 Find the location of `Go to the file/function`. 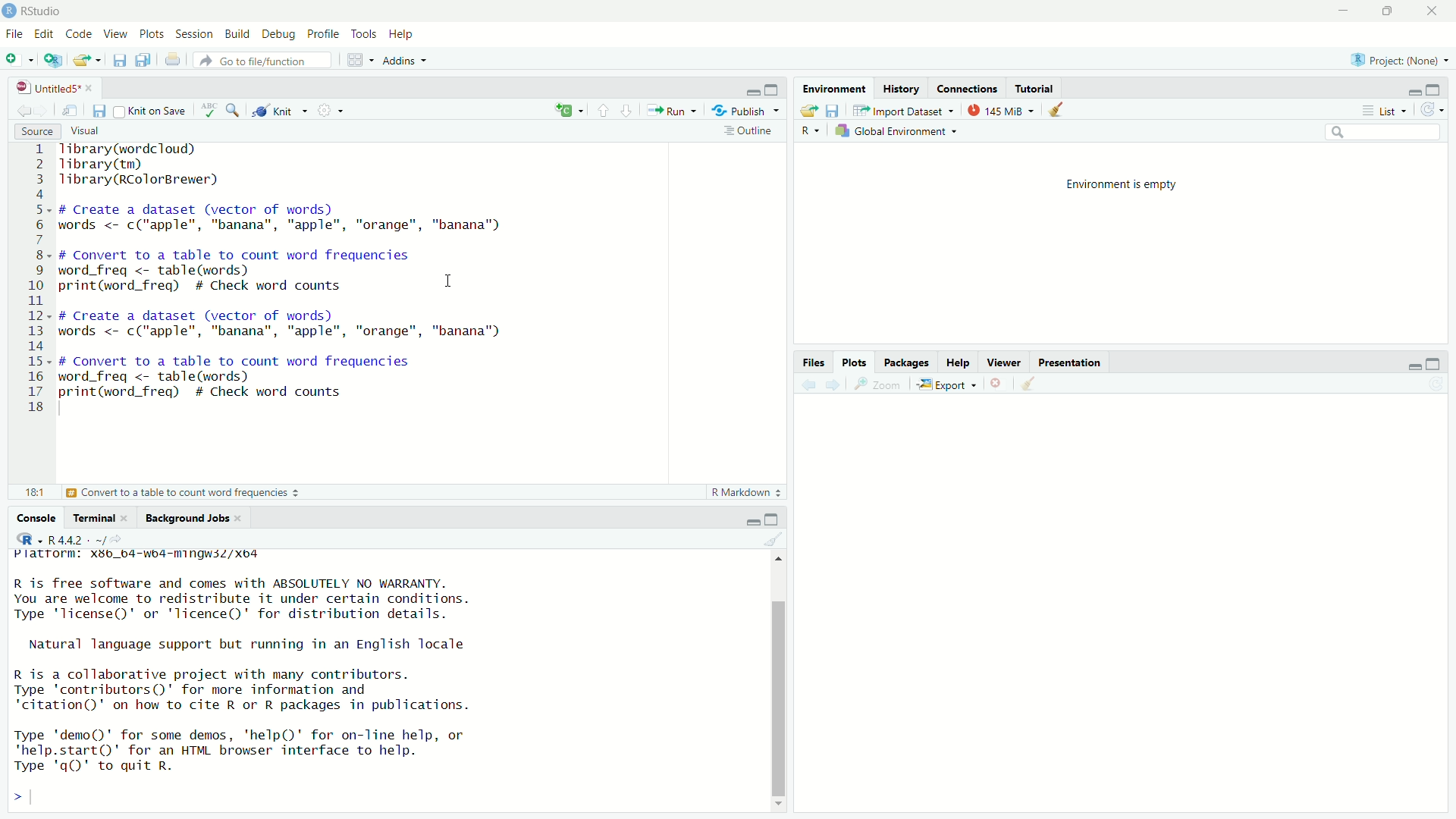

Go to the file/function is located at coordinates (262, 61).